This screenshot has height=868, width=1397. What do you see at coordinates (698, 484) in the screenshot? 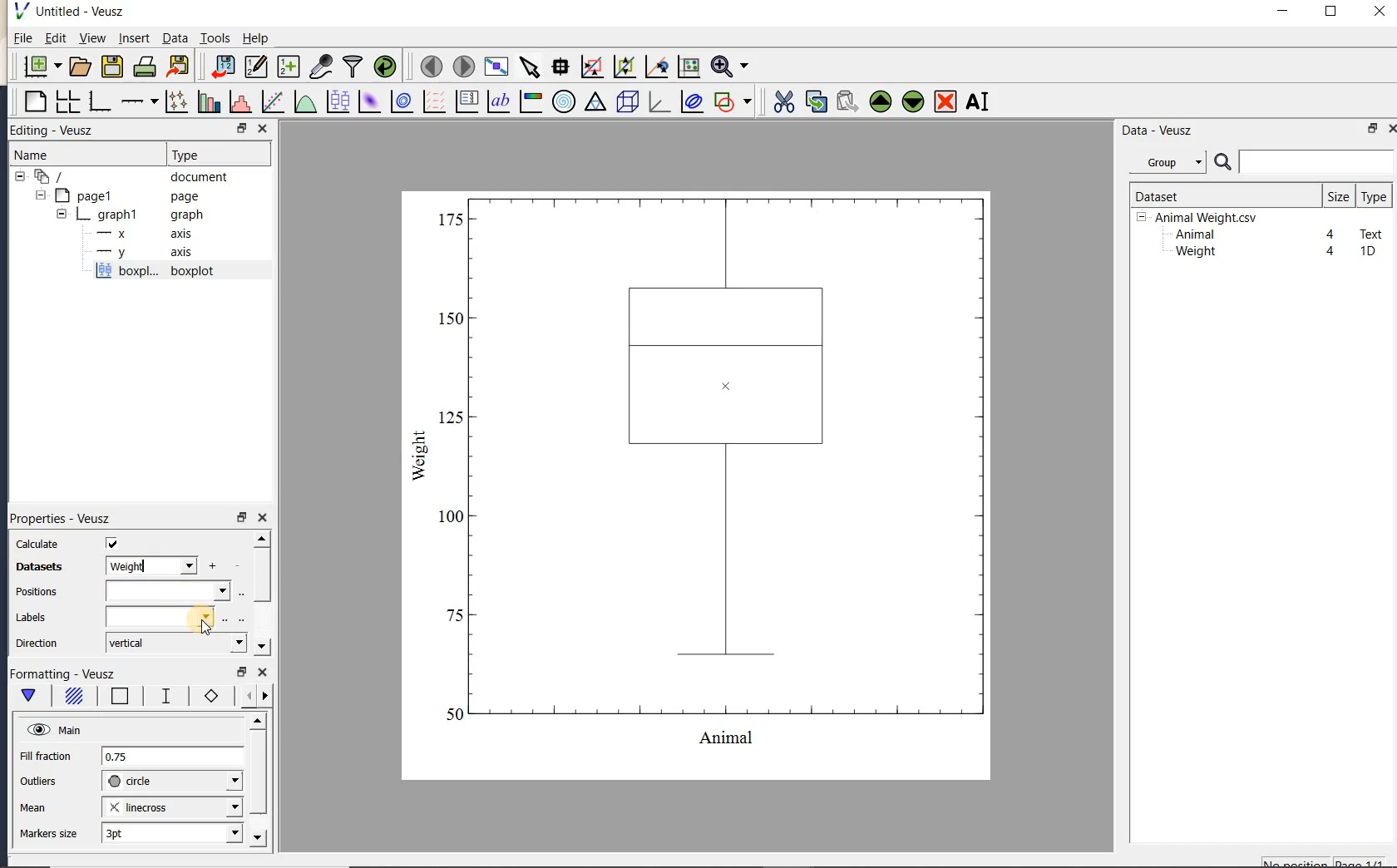
I see `box plot` at bounding box center [698, 484].